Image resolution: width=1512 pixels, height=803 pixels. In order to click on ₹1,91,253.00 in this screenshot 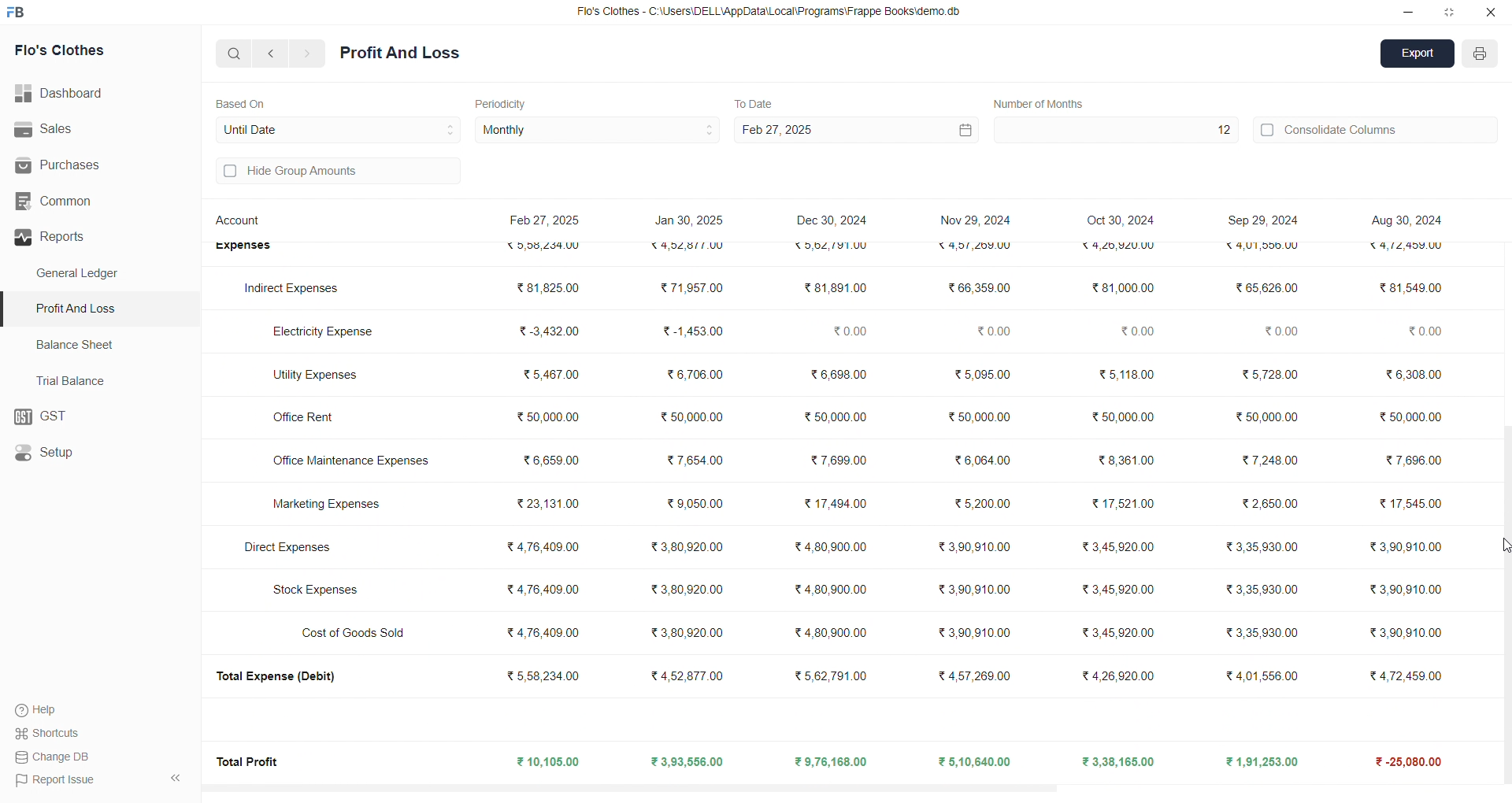, I will do `click(1254, 761)`.